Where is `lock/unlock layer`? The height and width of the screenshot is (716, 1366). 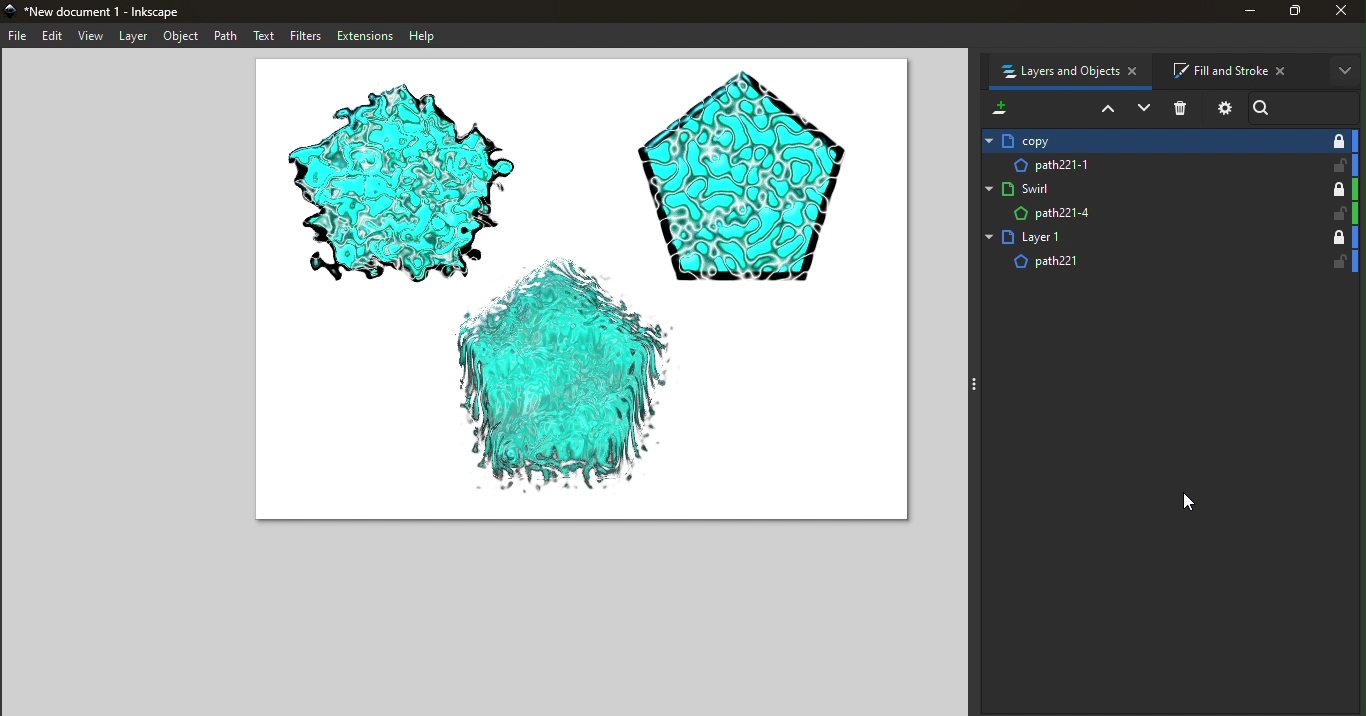
lock/unlock layer is located at coordinates (1337, 188).